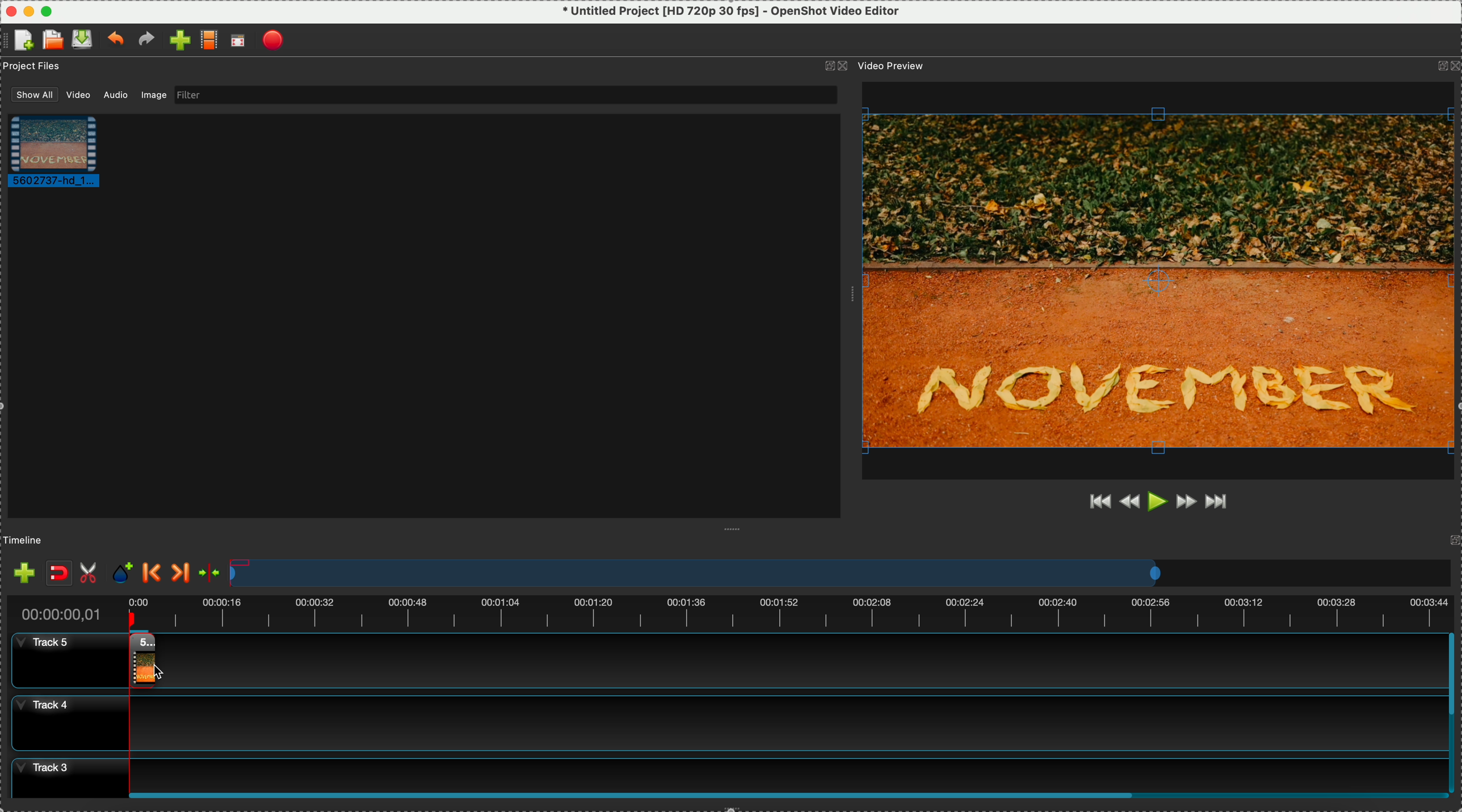 The height and width of the screenshot is (812, 1462). I want to click on Window Expanding, so click(848, 291).